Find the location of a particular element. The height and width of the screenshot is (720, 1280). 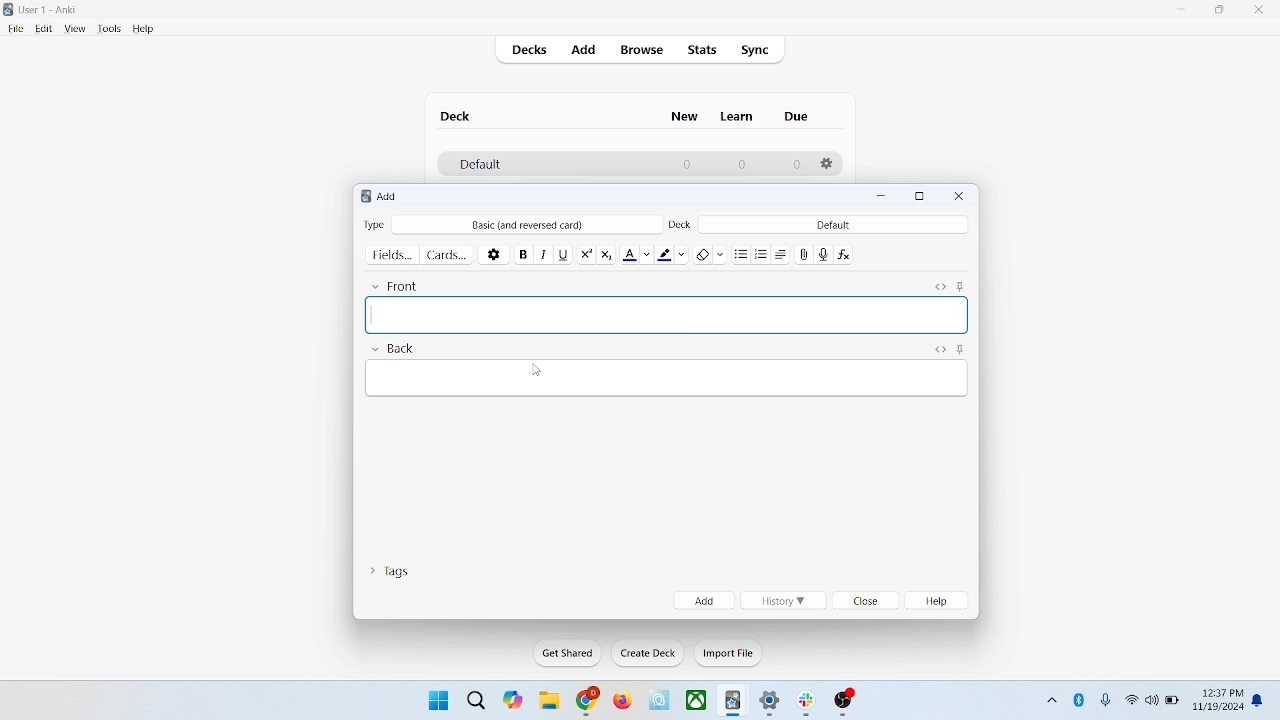

ordered list is located at coordinates (764, 255).